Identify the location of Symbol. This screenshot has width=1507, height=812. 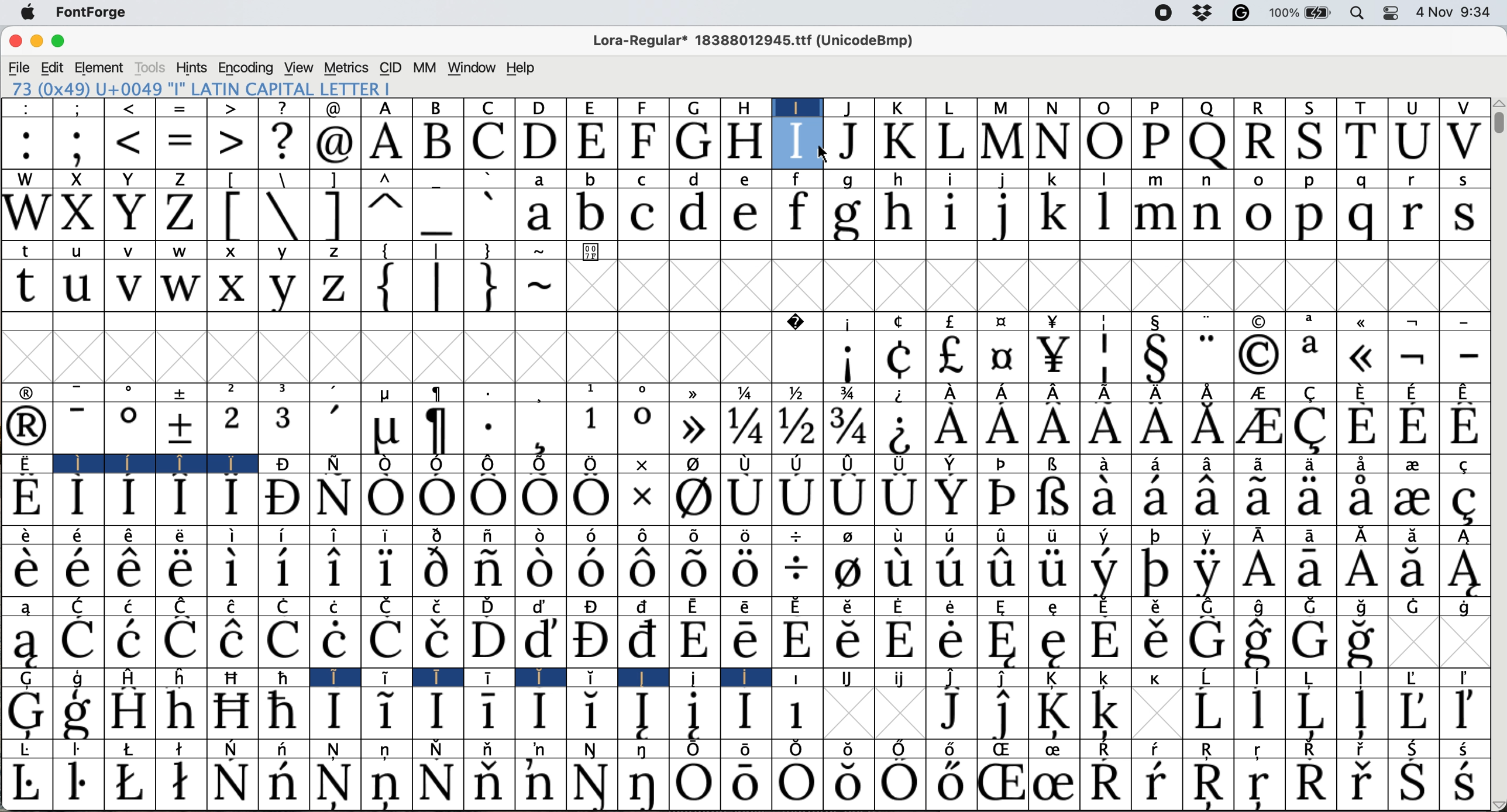
(1205, 571).